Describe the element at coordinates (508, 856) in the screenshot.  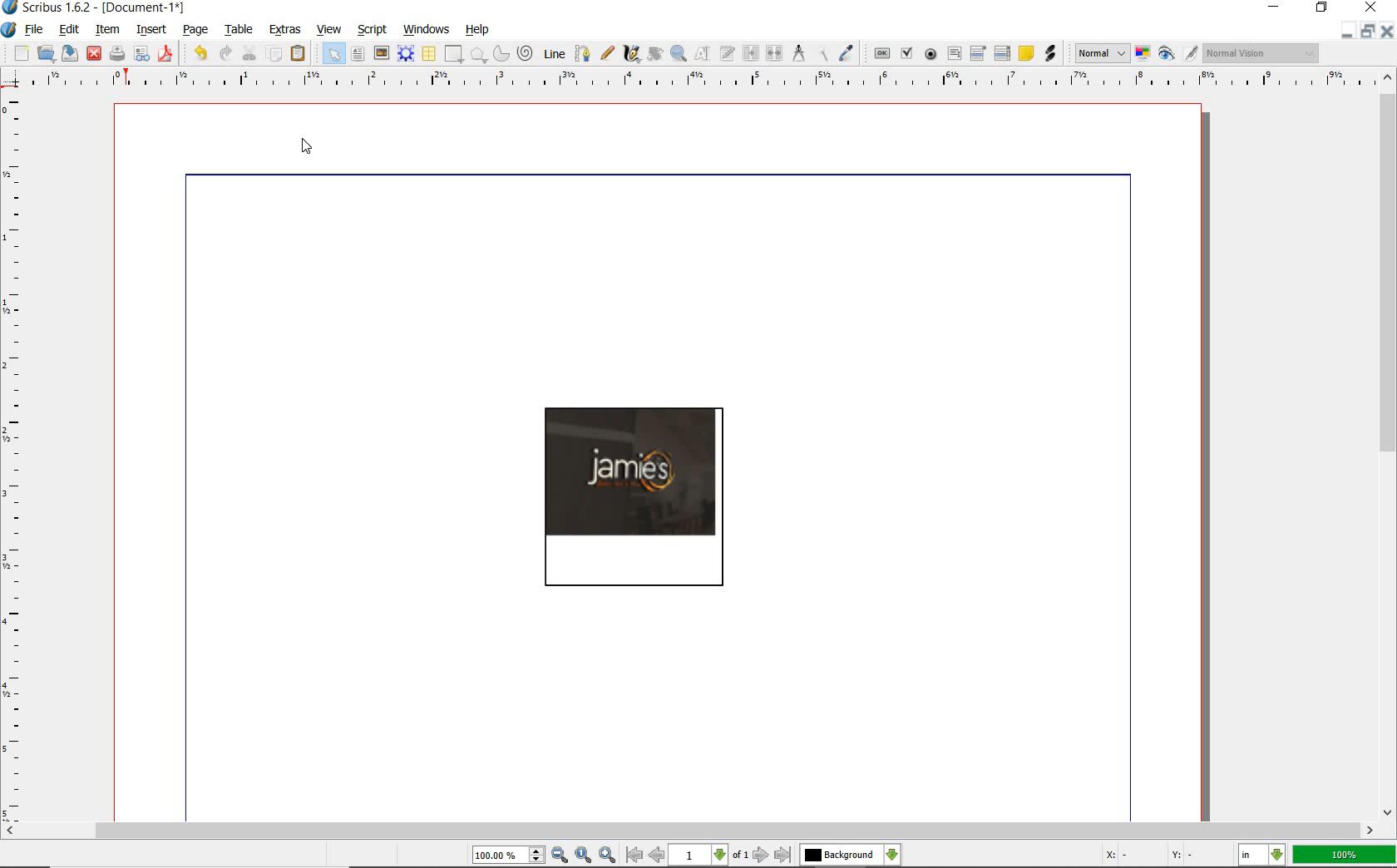
I see `Zoom 100.00%` at that location.